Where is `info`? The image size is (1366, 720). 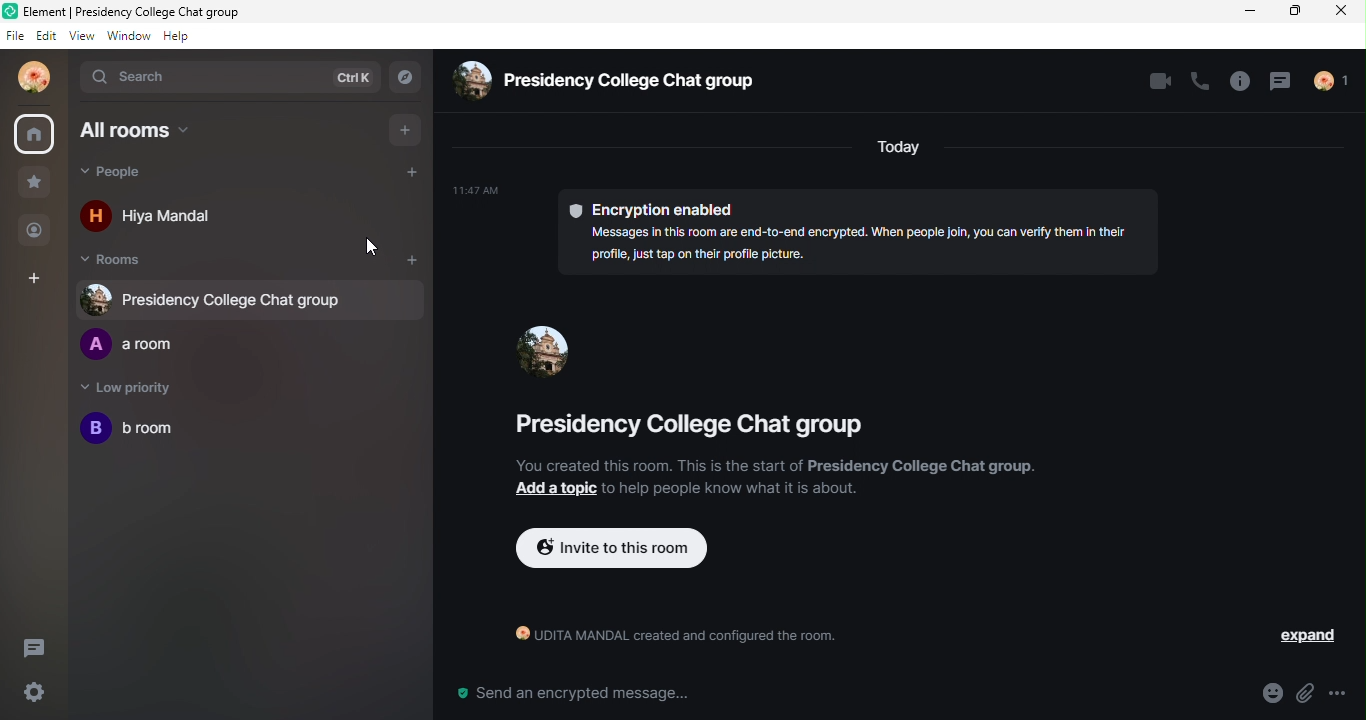 info is located at coordinates (1234, 82).